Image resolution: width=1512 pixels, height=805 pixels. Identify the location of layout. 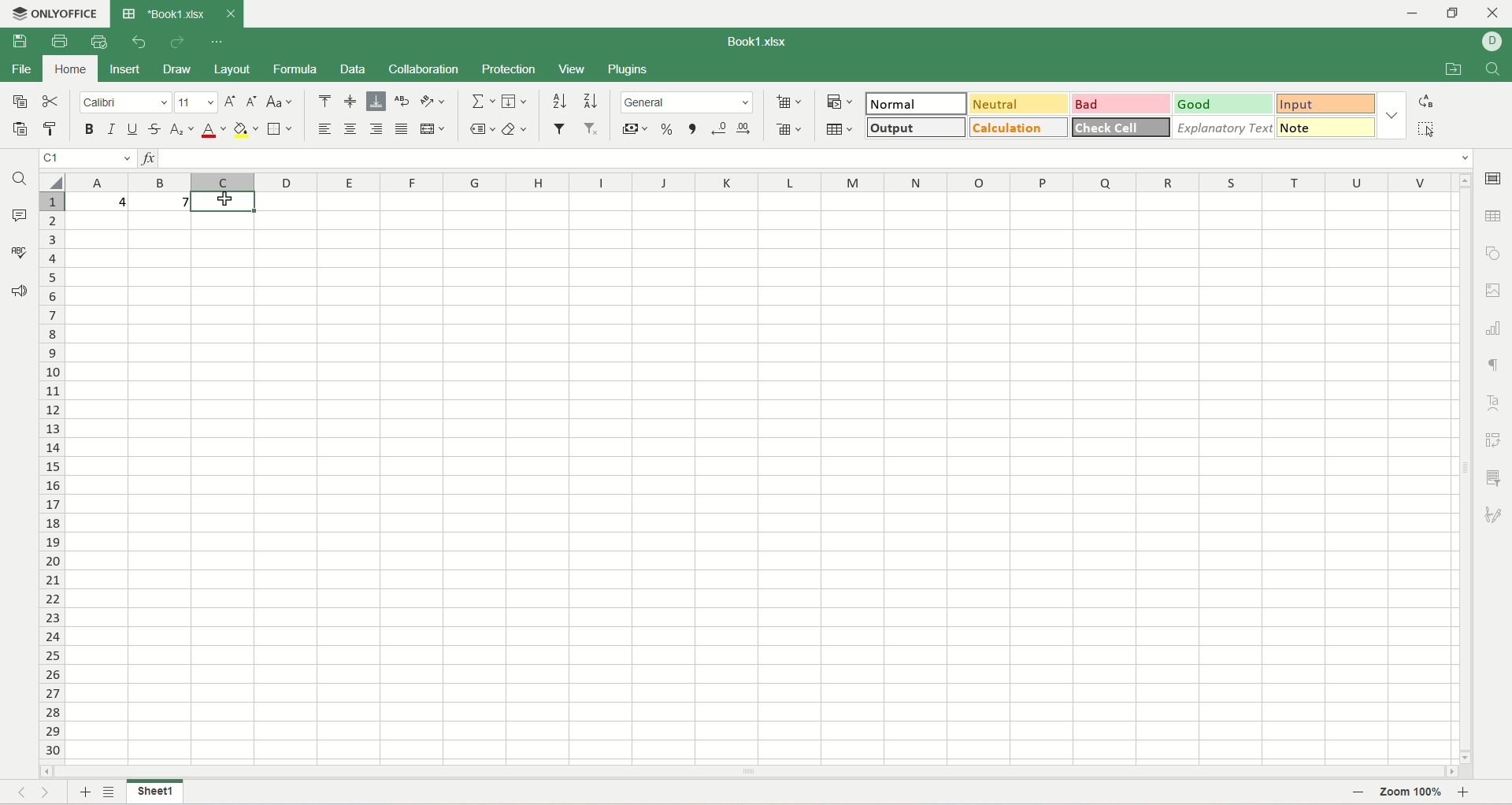
(231, 69).